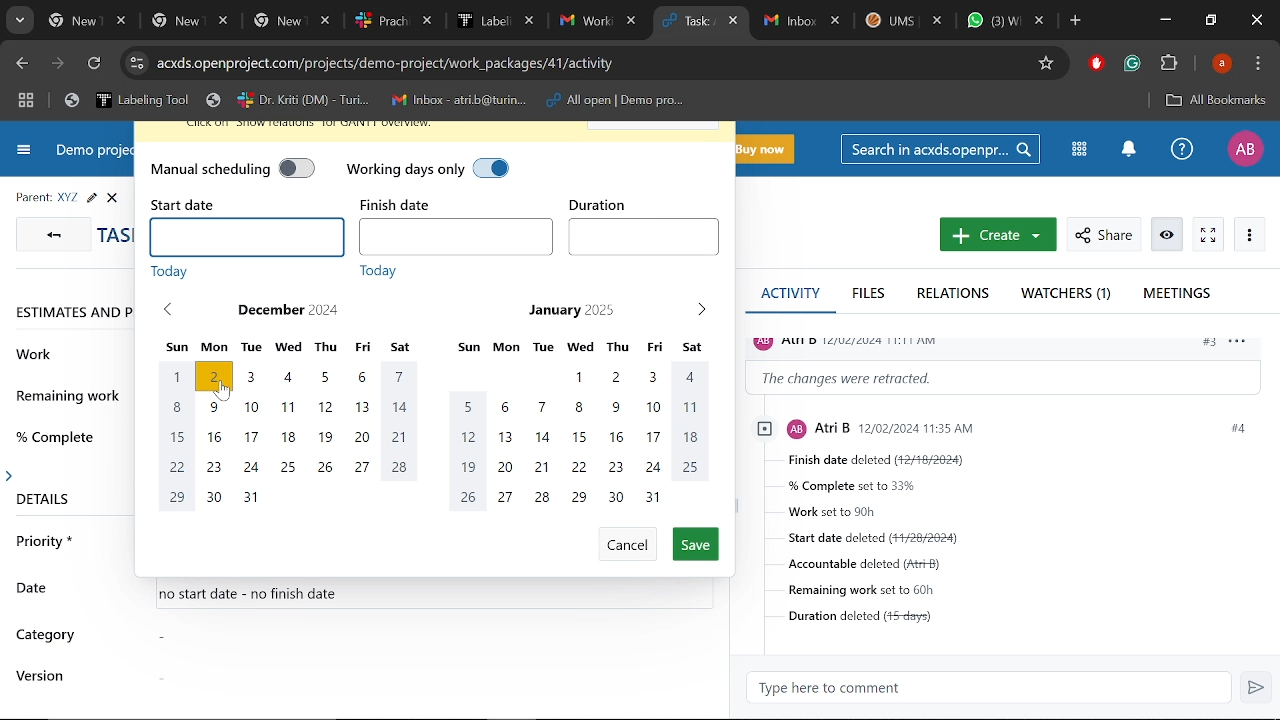 This screenshot has width=1280, height=720. What do you see at coordinates (43, 675) in the screenshot?
I see `version` at bounding box center [43, 675].